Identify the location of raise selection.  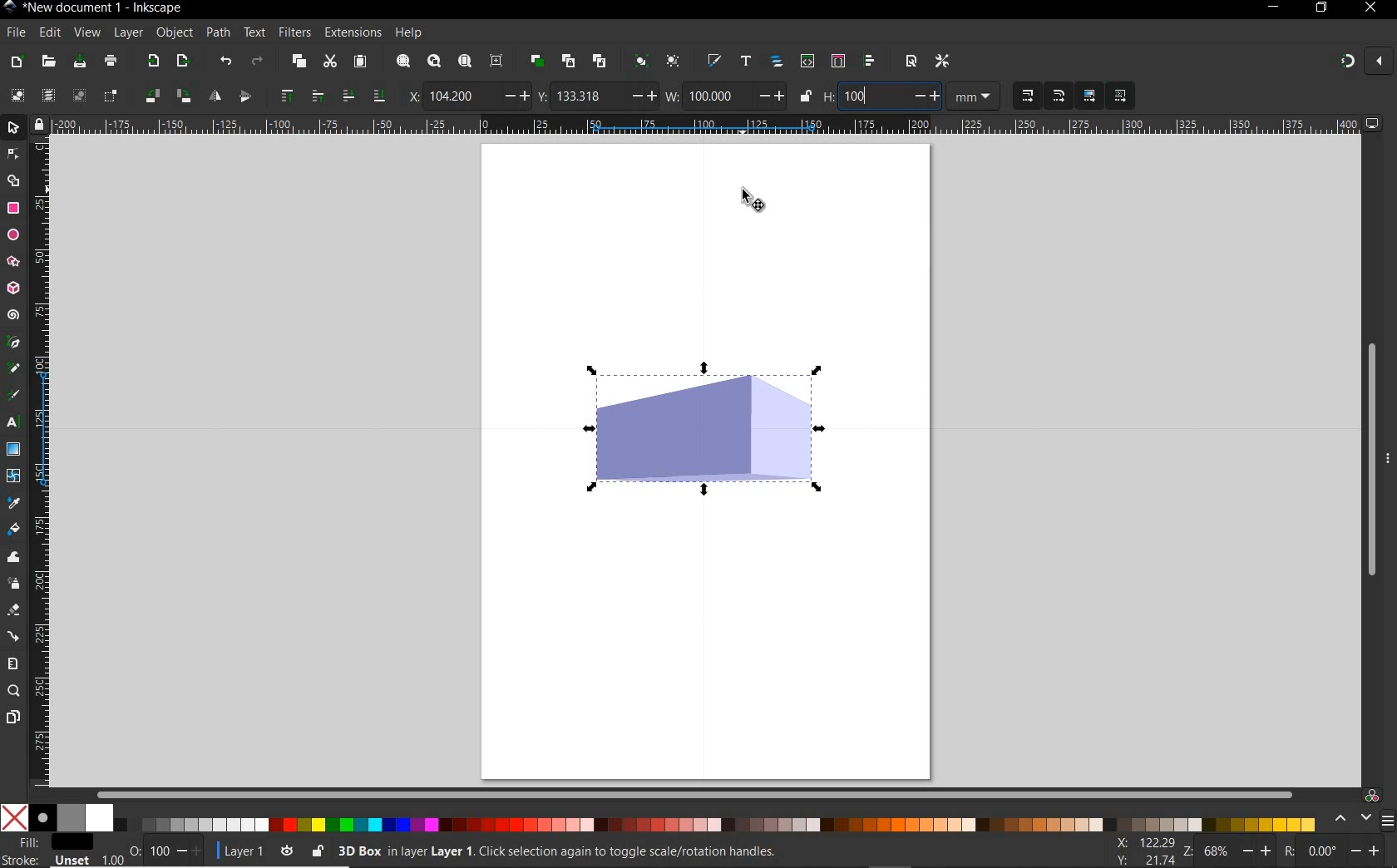
(315, 96).